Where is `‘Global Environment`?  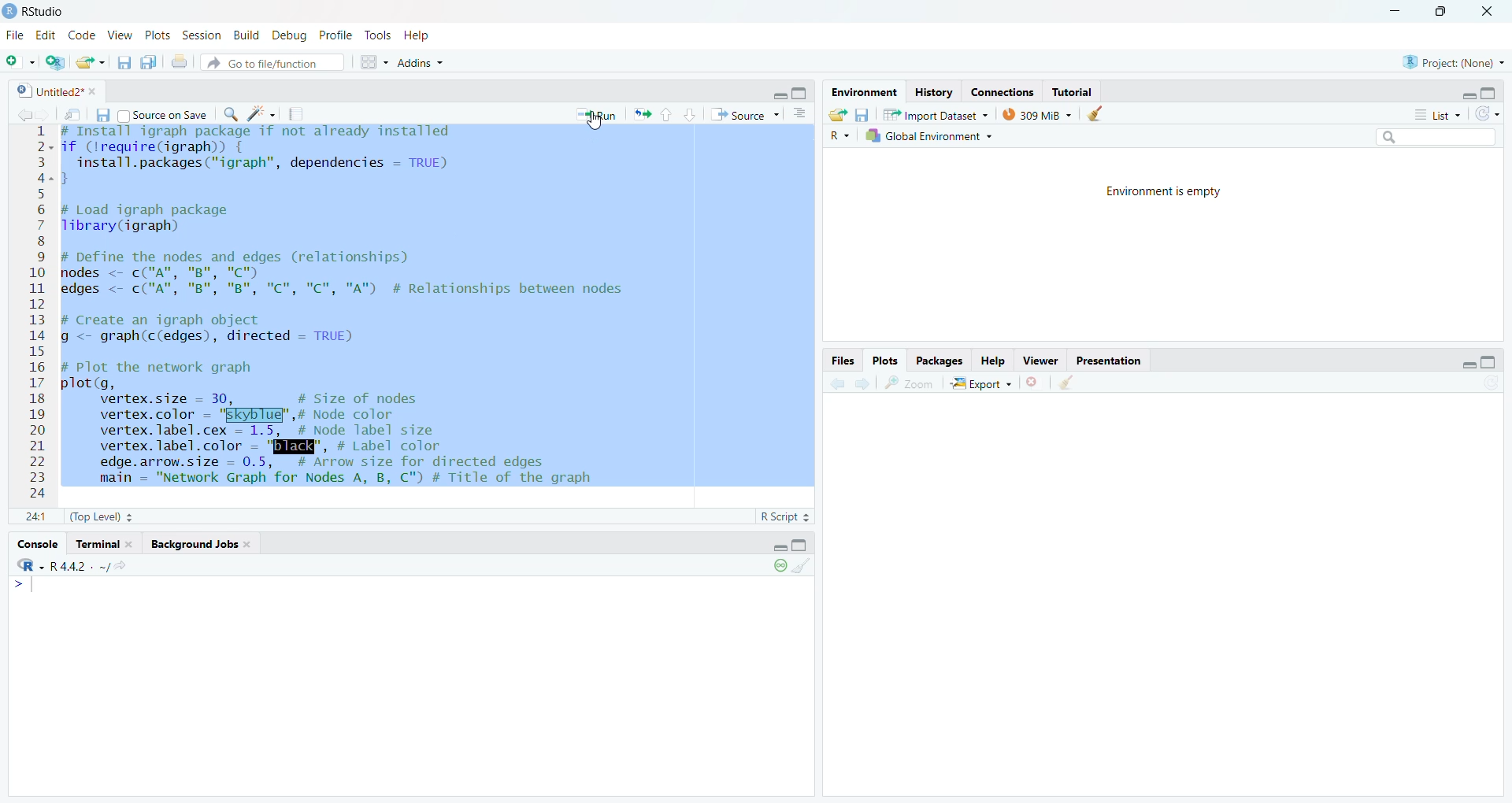
‘Global Environment is located at coordinates (930, 135).